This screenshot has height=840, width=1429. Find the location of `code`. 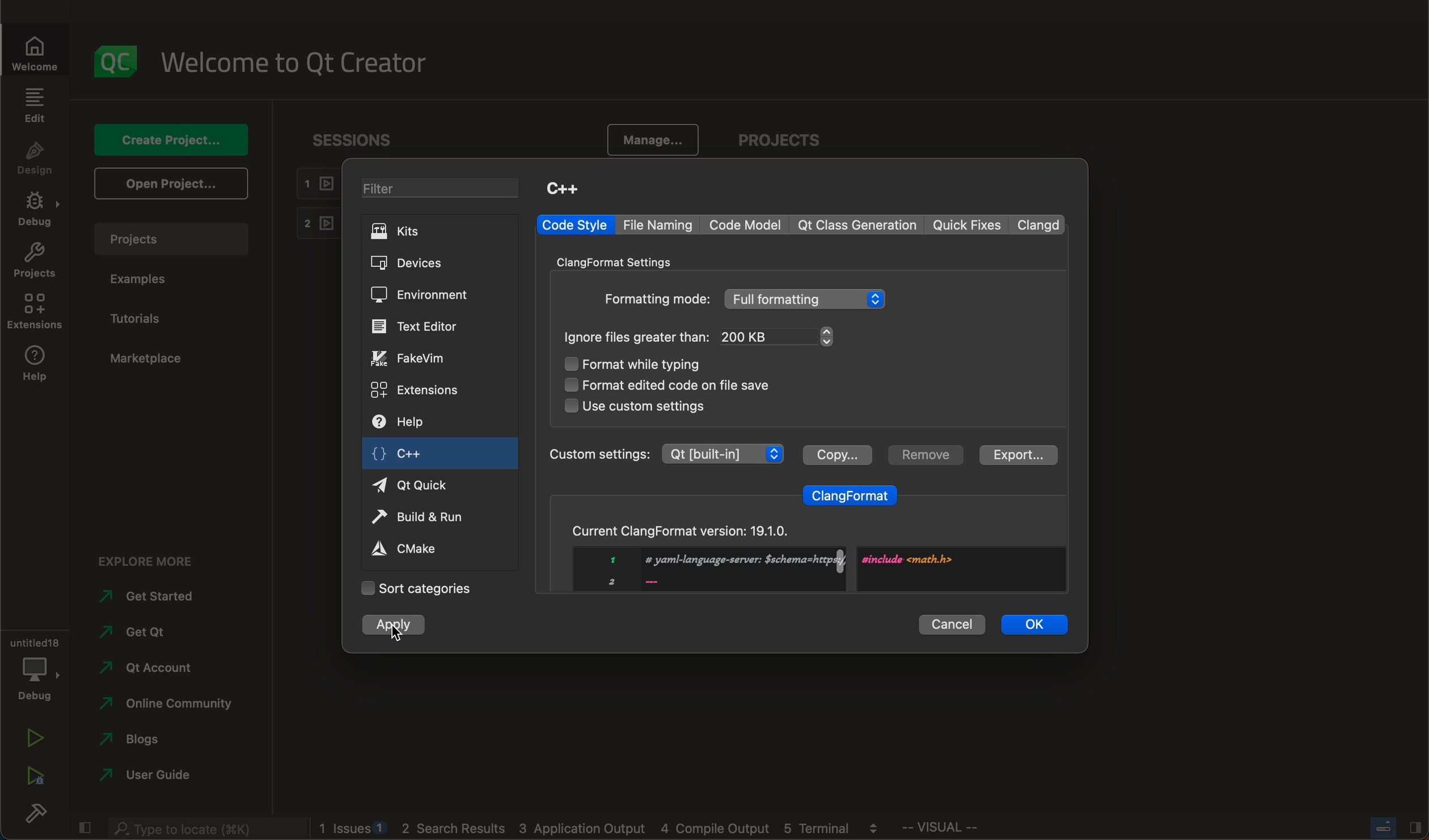

code is located at coordinates (747, 224).